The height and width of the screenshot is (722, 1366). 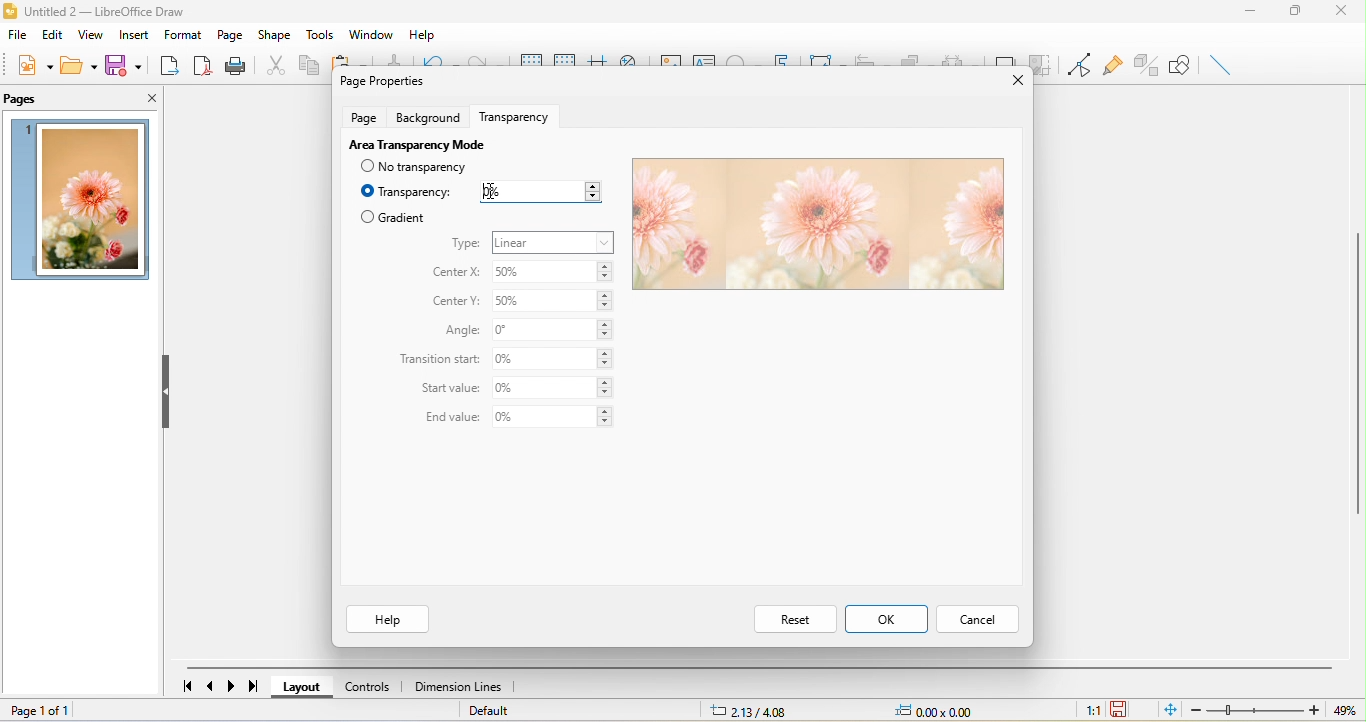 I want to click on toggle point edit mode, so click(x=1076, y=65).